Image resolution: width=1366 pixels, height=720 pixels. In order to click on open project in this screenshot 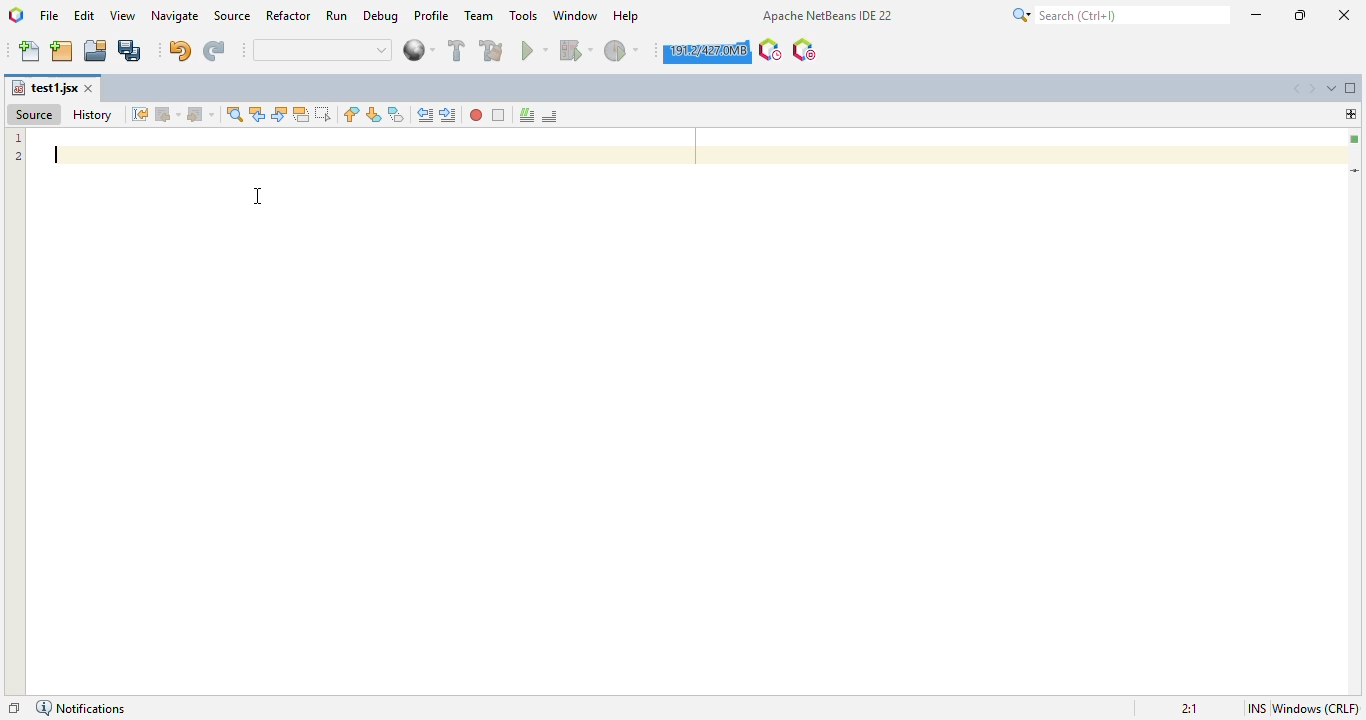, I will do `click(95, 51)`.